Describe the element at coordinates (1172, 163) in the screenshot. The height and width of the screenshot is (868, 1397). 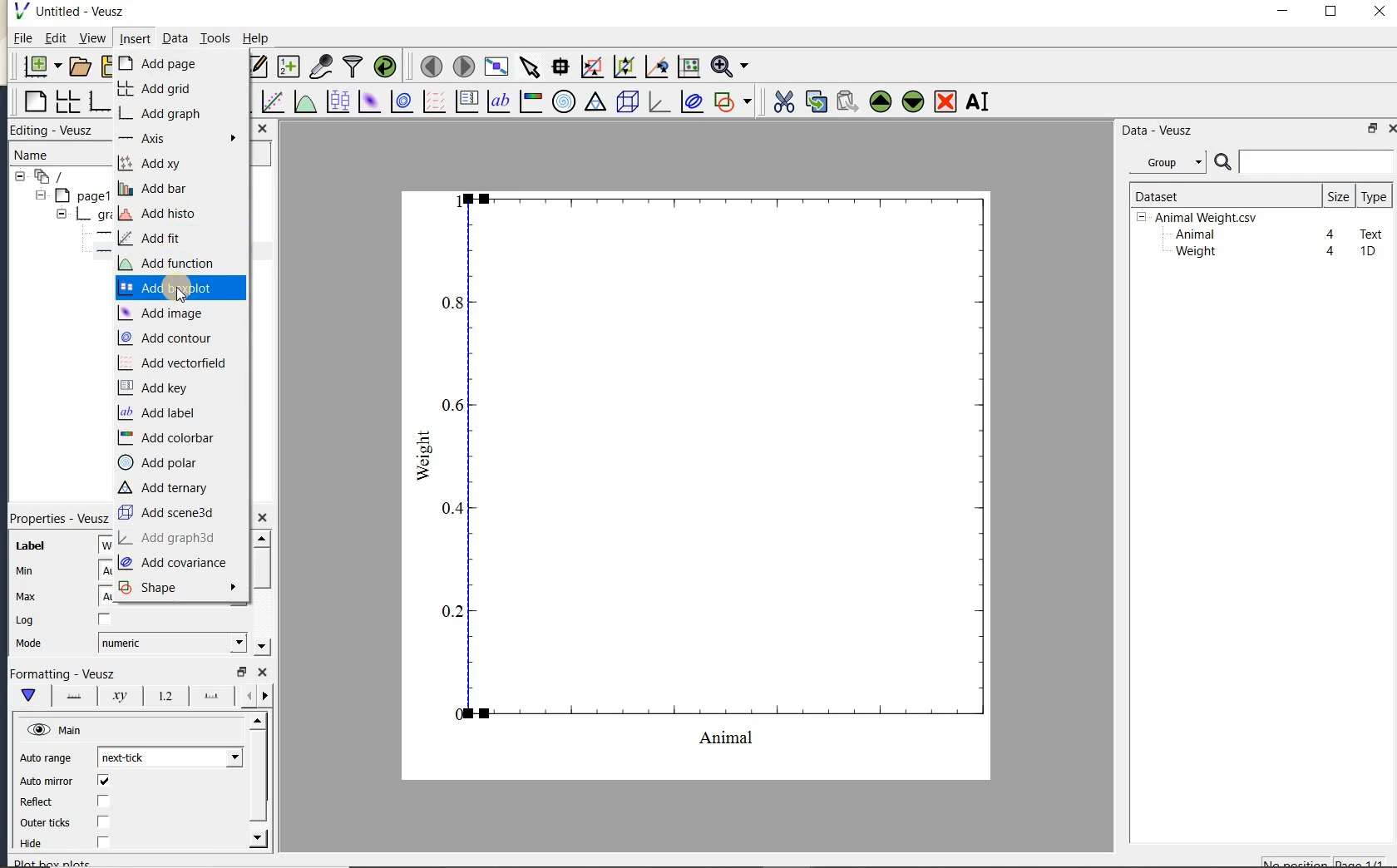
I see `Data - Veusz` at that location.